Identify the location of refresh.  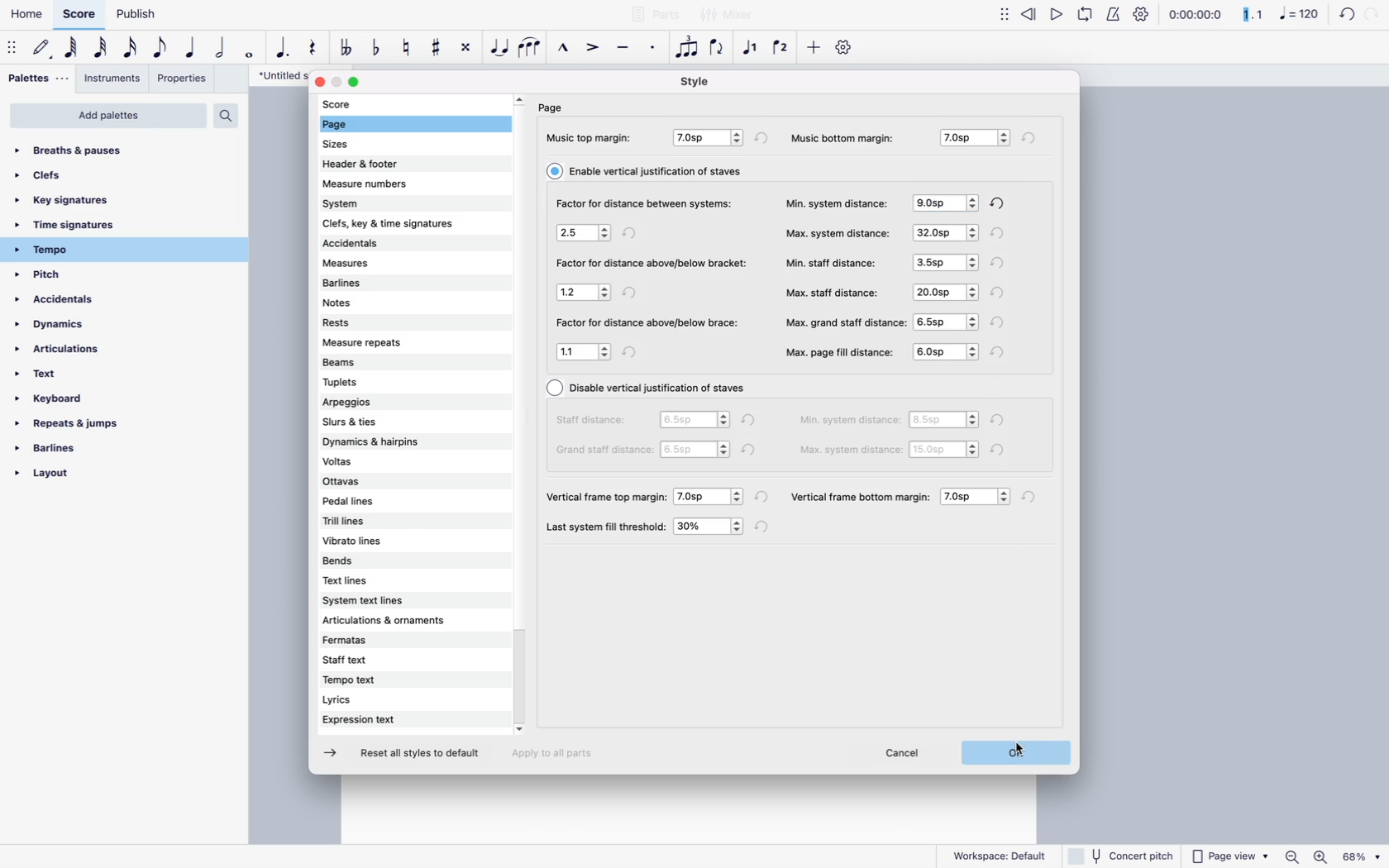
(1004, 203).